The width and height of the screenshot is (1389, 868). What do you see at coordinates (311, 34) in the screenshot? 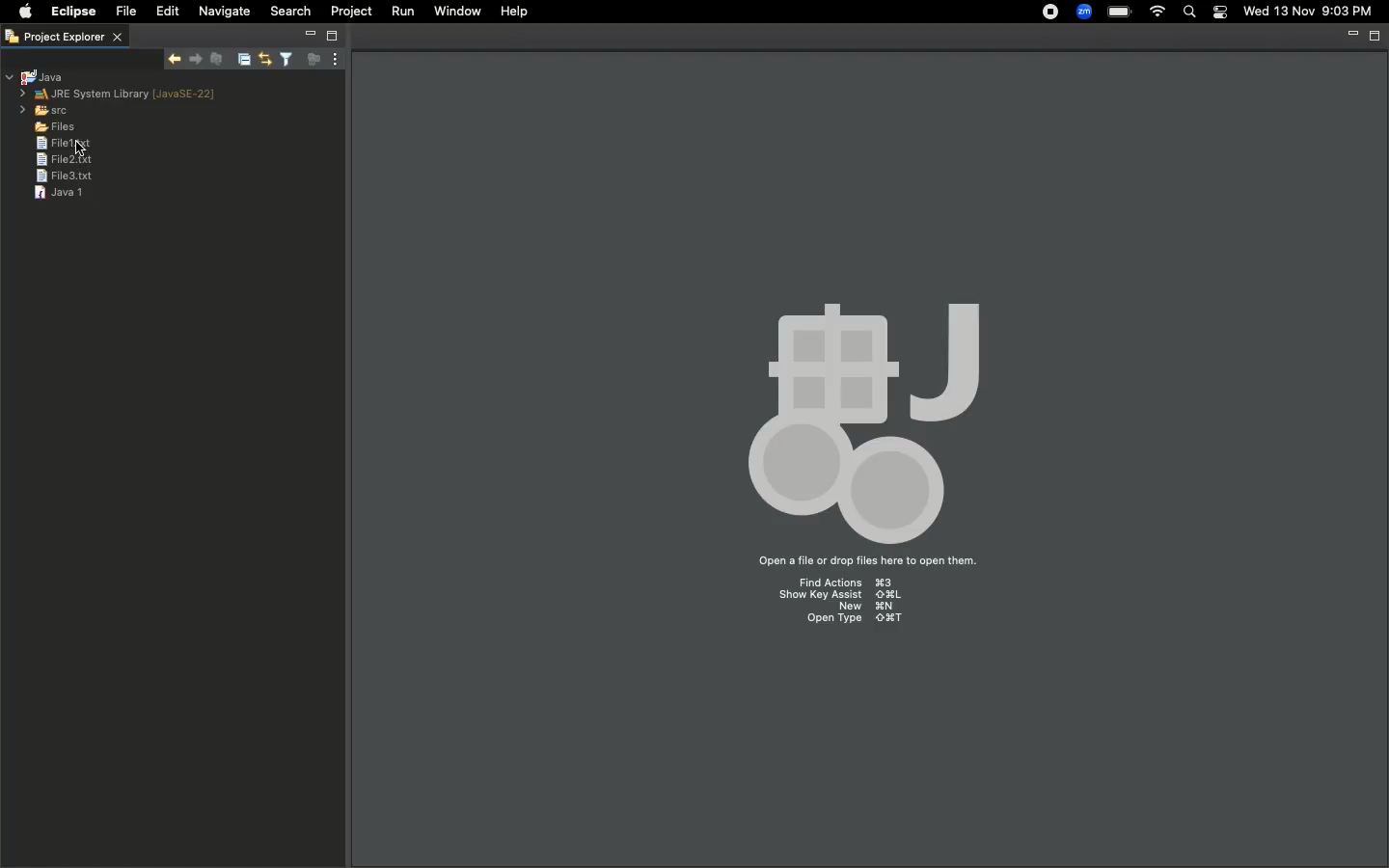
I see `Minimize` at bounding box center [311, 34].